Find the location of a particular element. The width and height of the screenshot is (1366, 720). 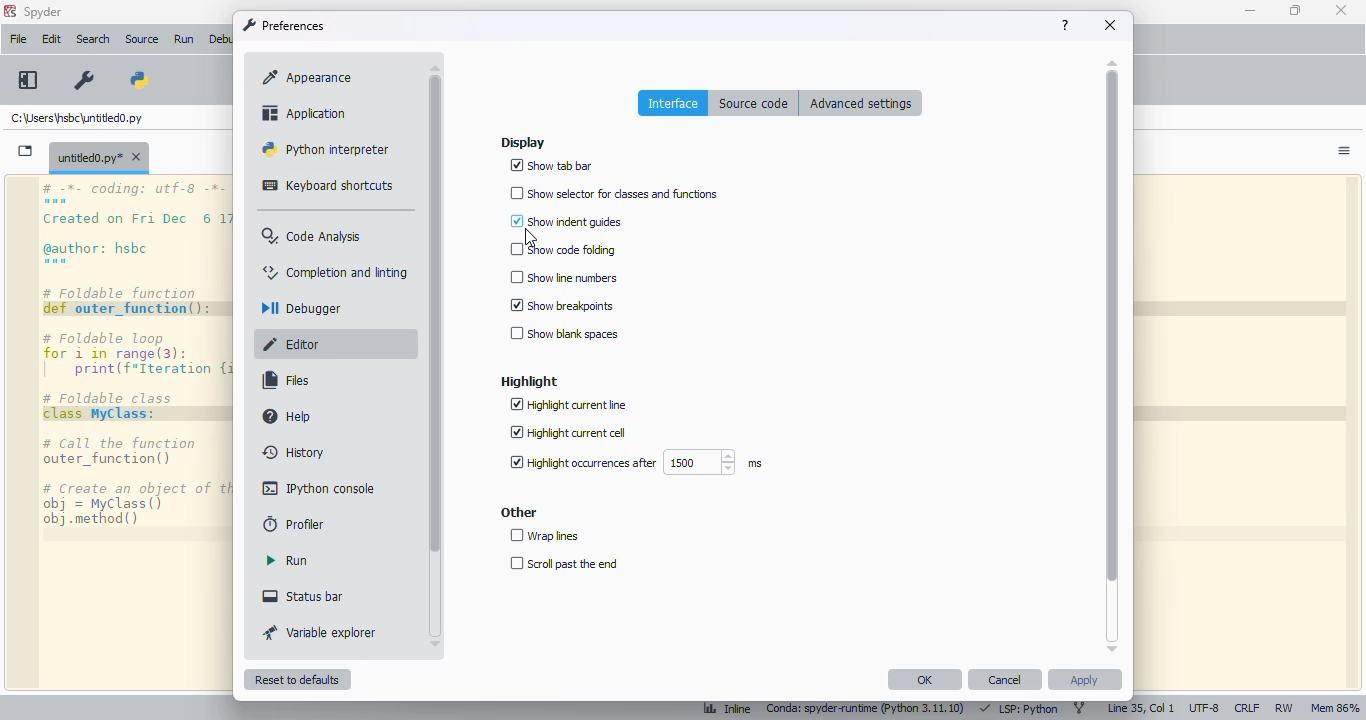

show blank spaces is located at coordinates (564, 333).